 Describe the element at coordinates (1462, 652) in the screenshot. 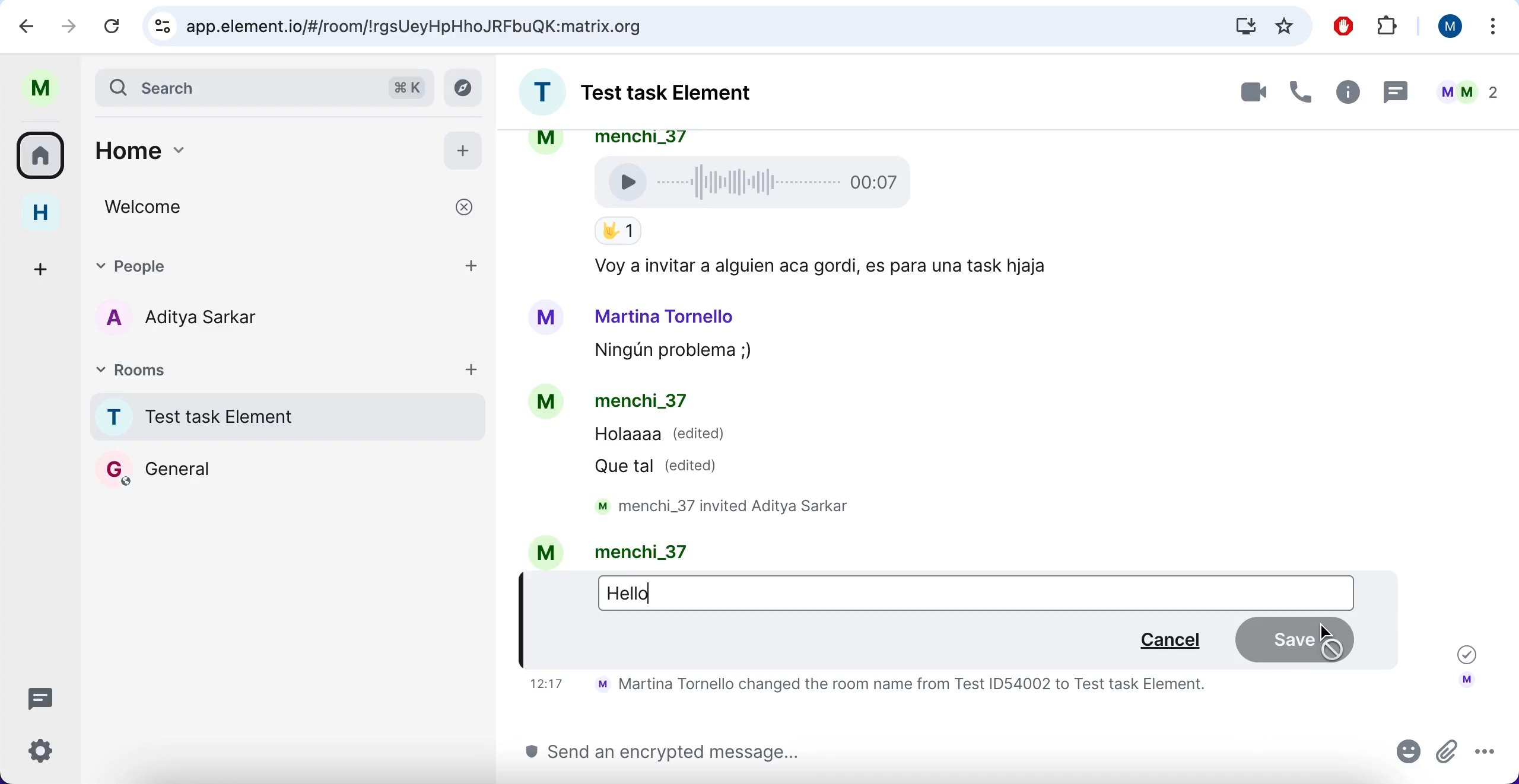

I see `message sent` at that location.